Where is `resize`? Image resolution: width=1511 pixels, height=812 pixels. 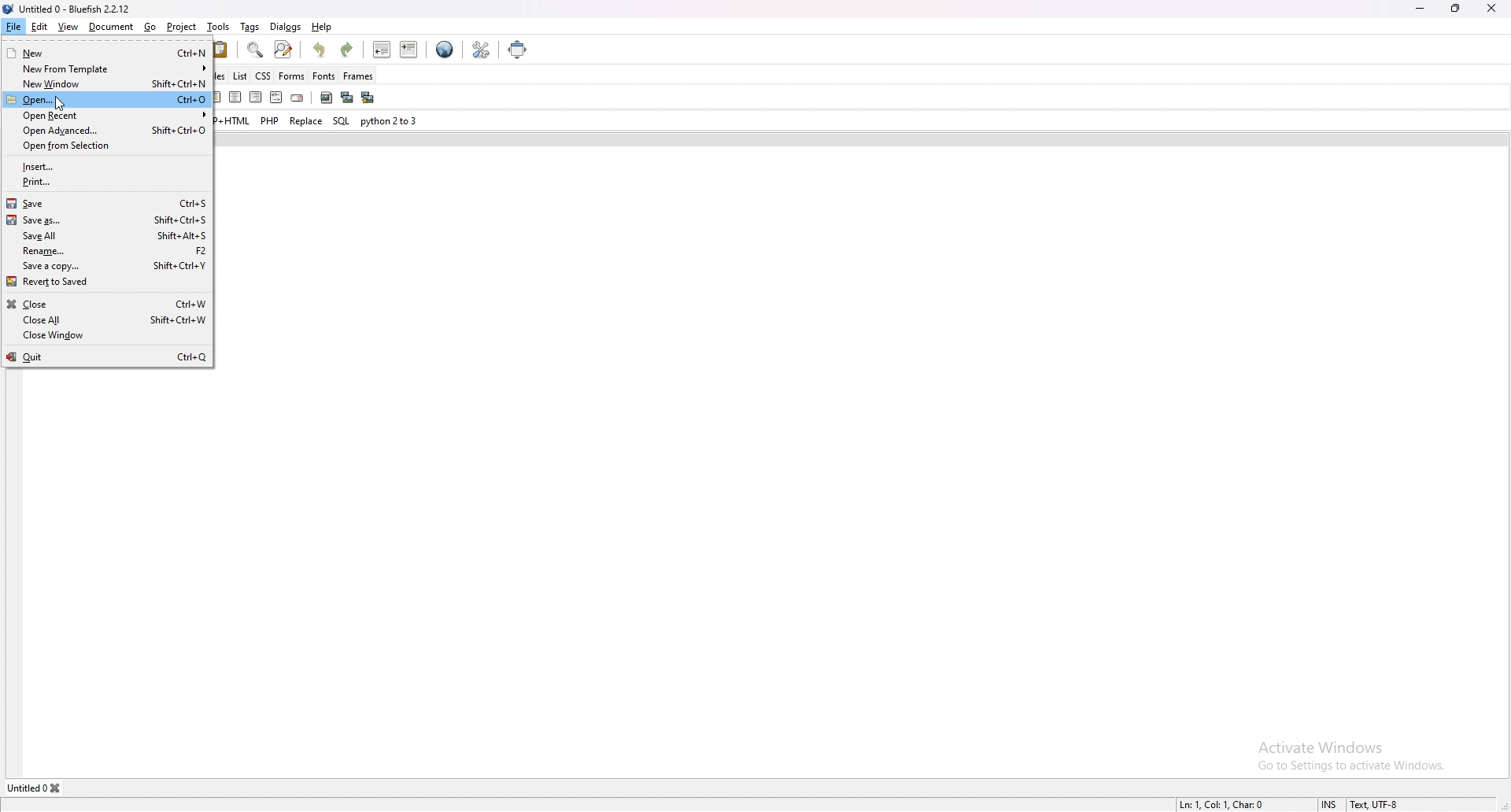 resize is located at coordinates (1456, 8).